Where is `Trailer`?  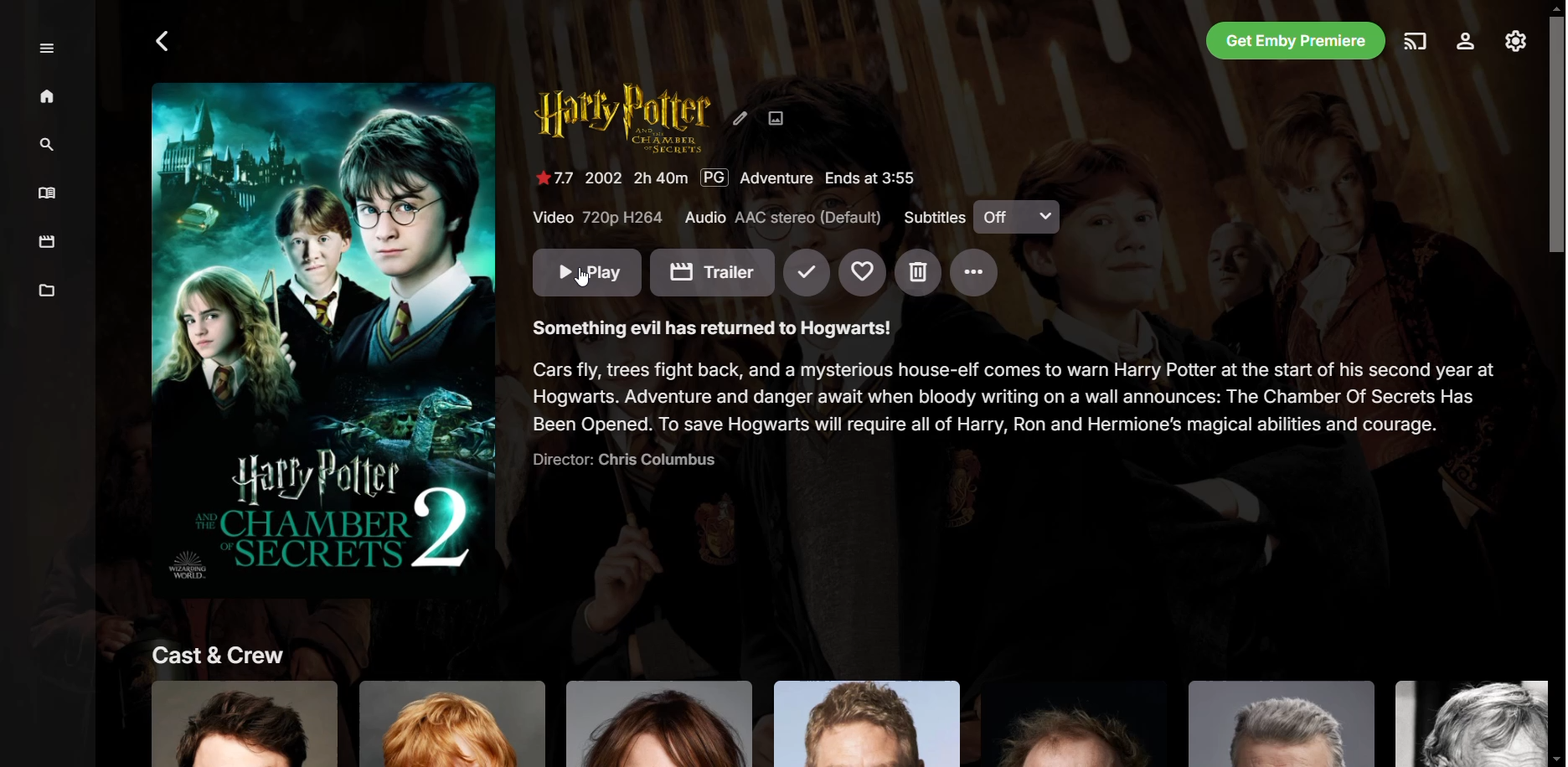 Trailer is located at coordinates (713, 273).